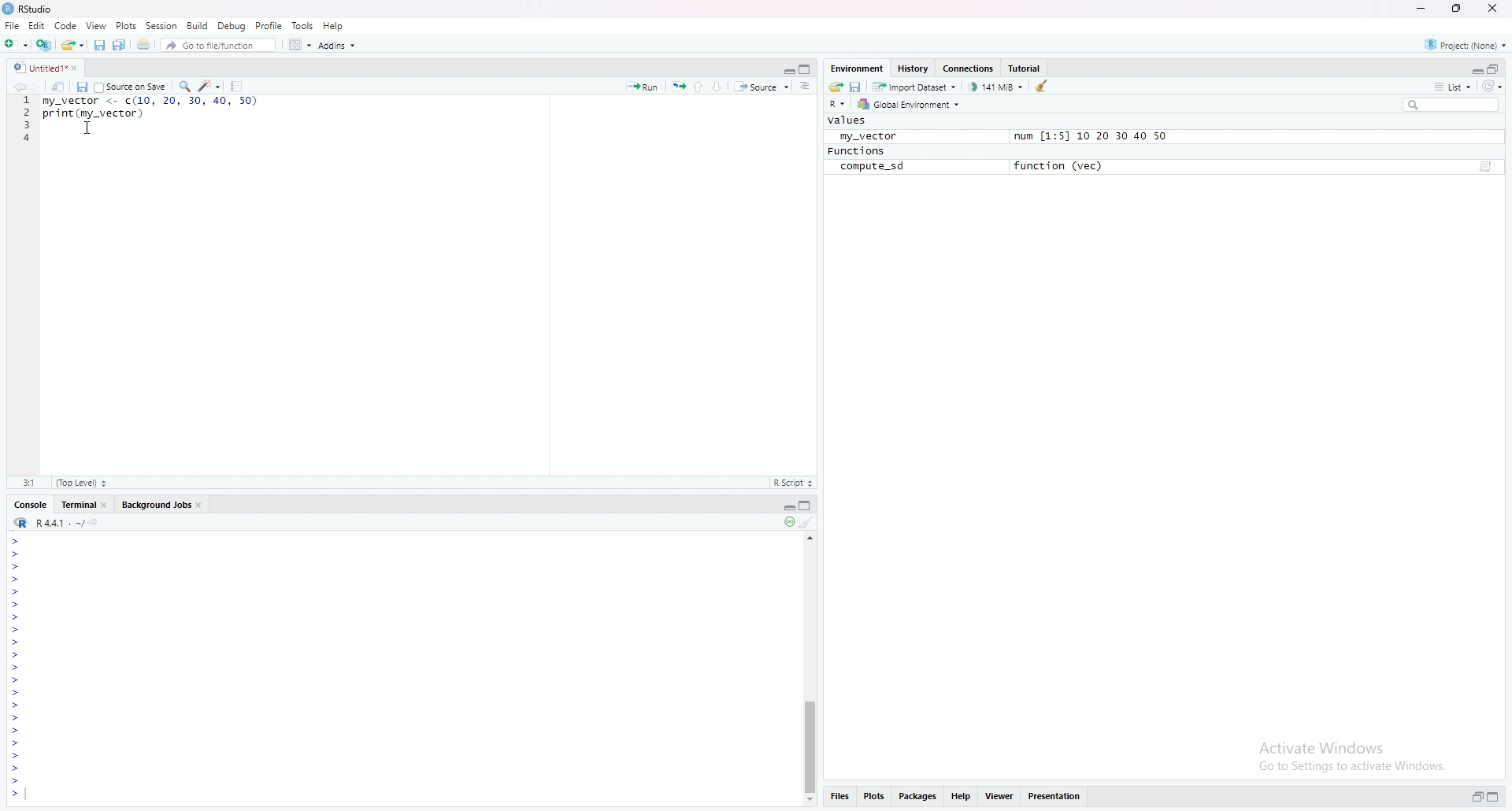 The image size is (1512, 811). I want to click on Tutorial, so click(1026, 67).